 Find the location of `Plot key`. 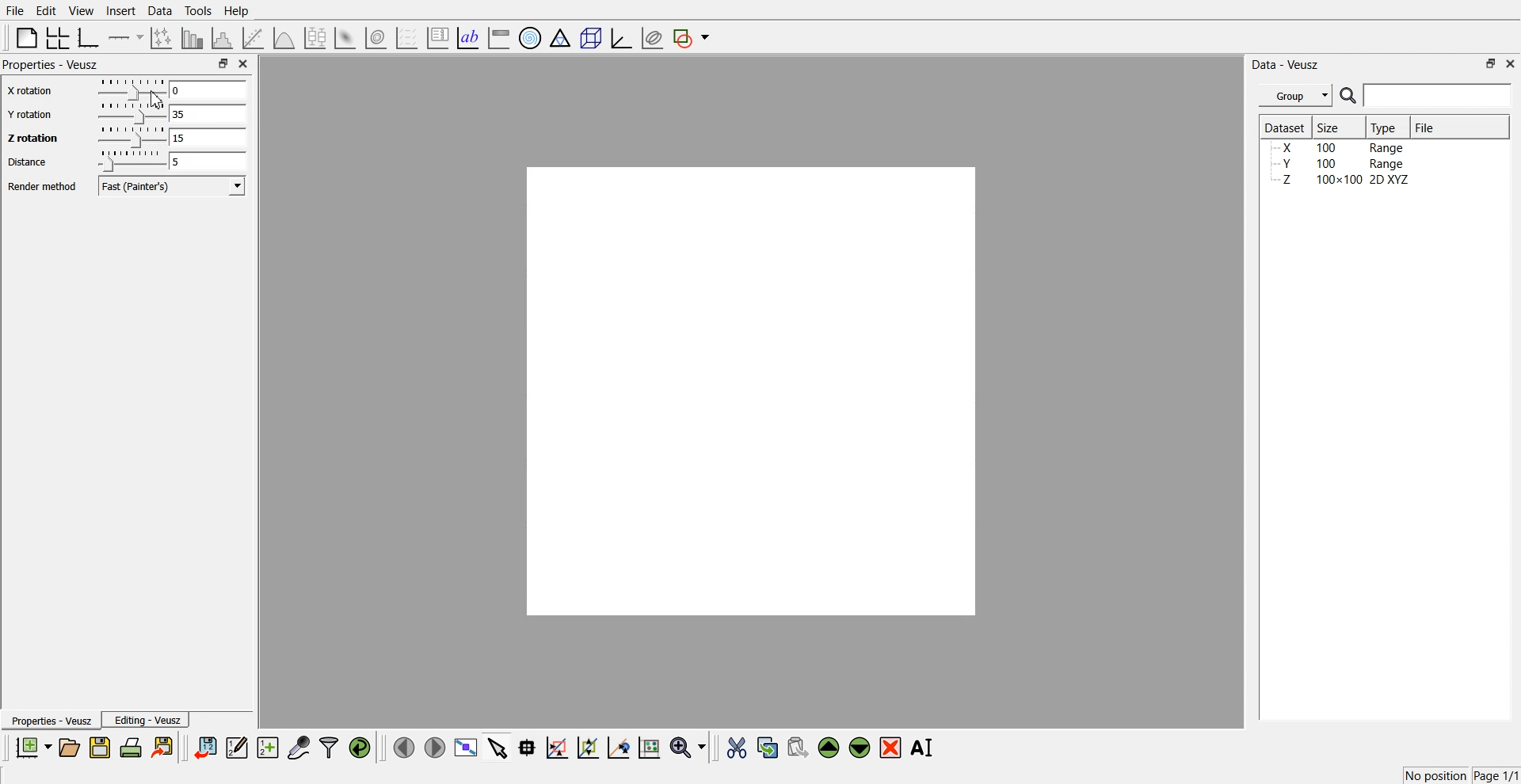

Plot key is located at coordinates (437, 38).